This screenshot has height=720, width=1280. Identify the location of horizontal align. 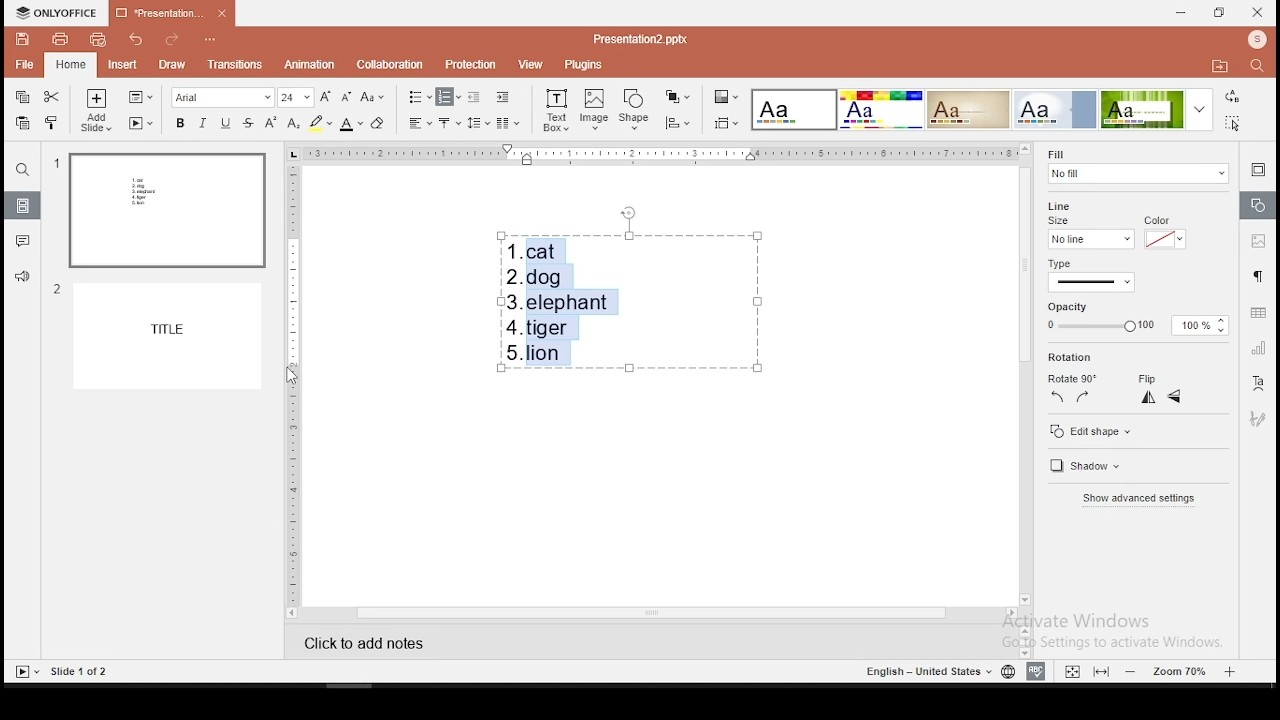
(421, 123).